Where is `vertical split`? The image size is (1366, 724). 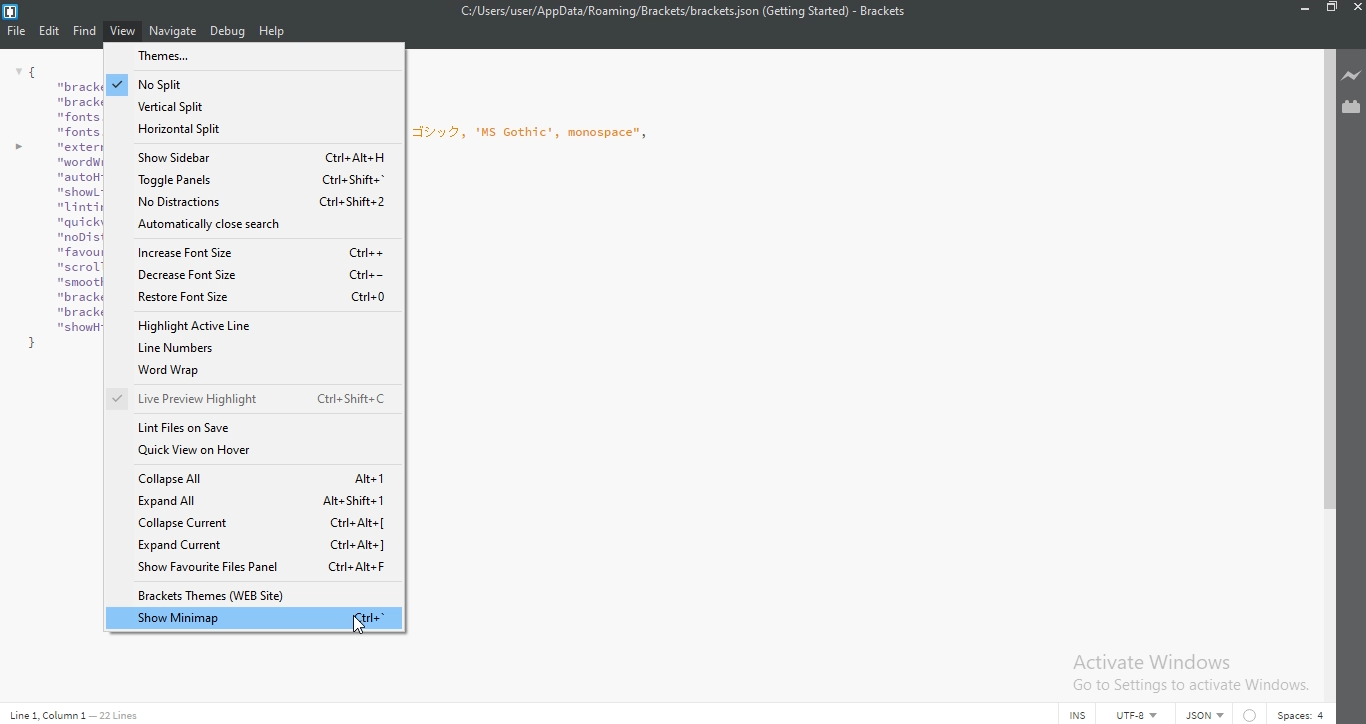
vertical split is located at coordinates (250, 108).